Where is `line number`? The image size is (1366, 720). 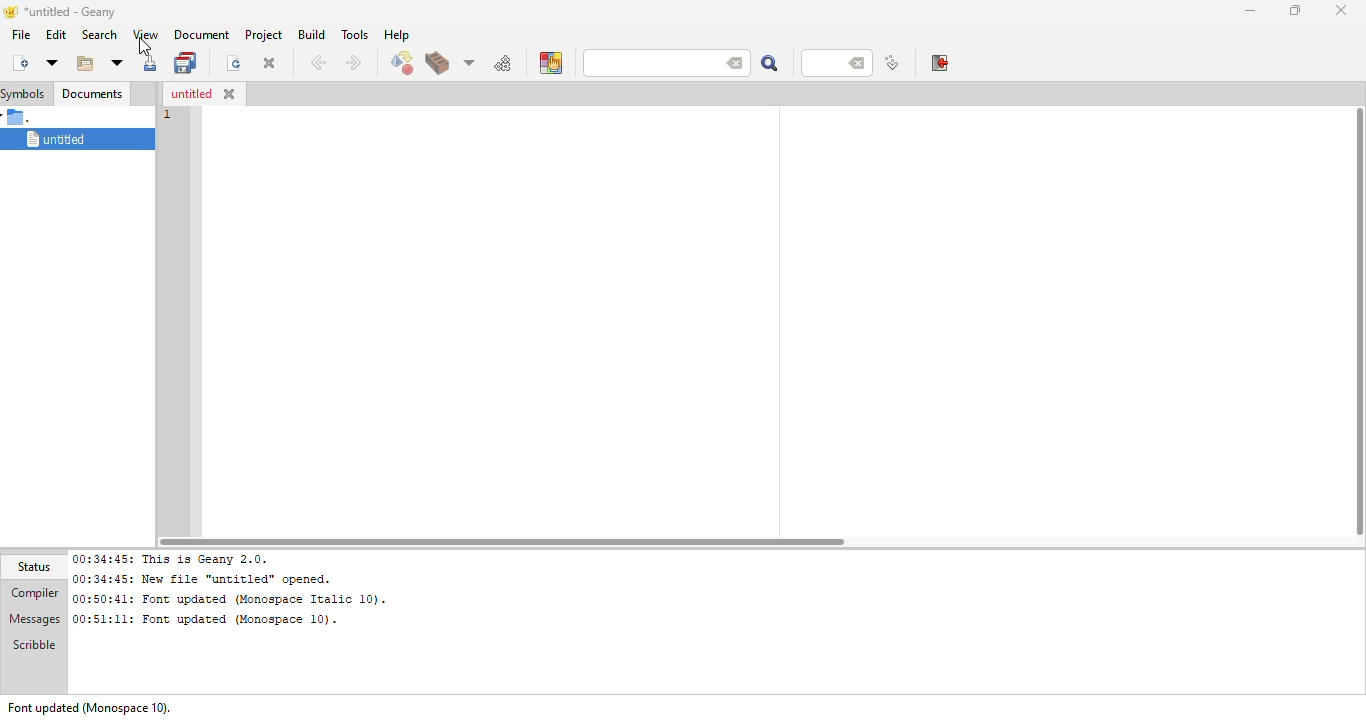 line number is located at coordinates (826, 63).